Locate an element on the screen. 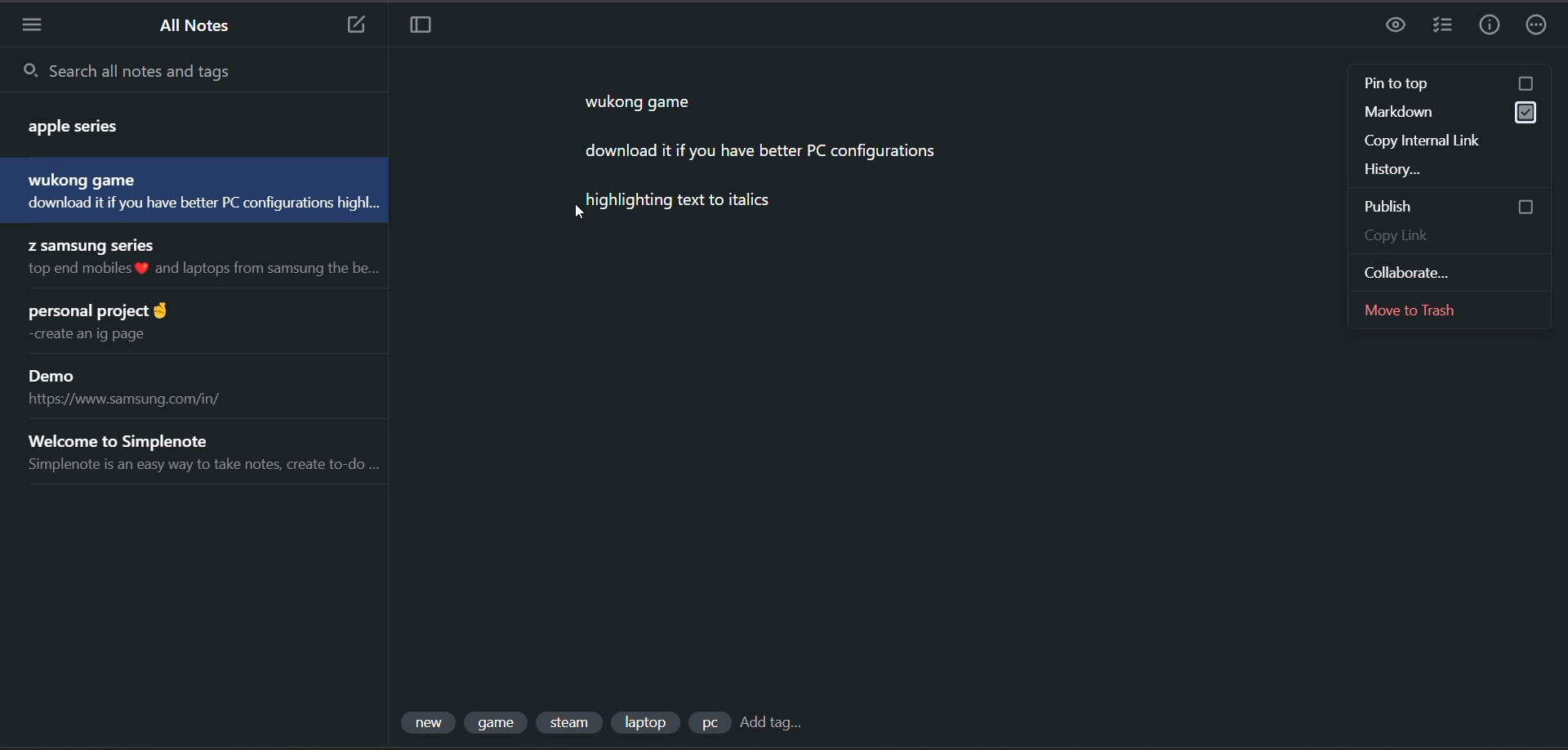 Image resolution: width=1568 pixels, height=750 pixels. note title and preview is located at coordinates (180, 122).